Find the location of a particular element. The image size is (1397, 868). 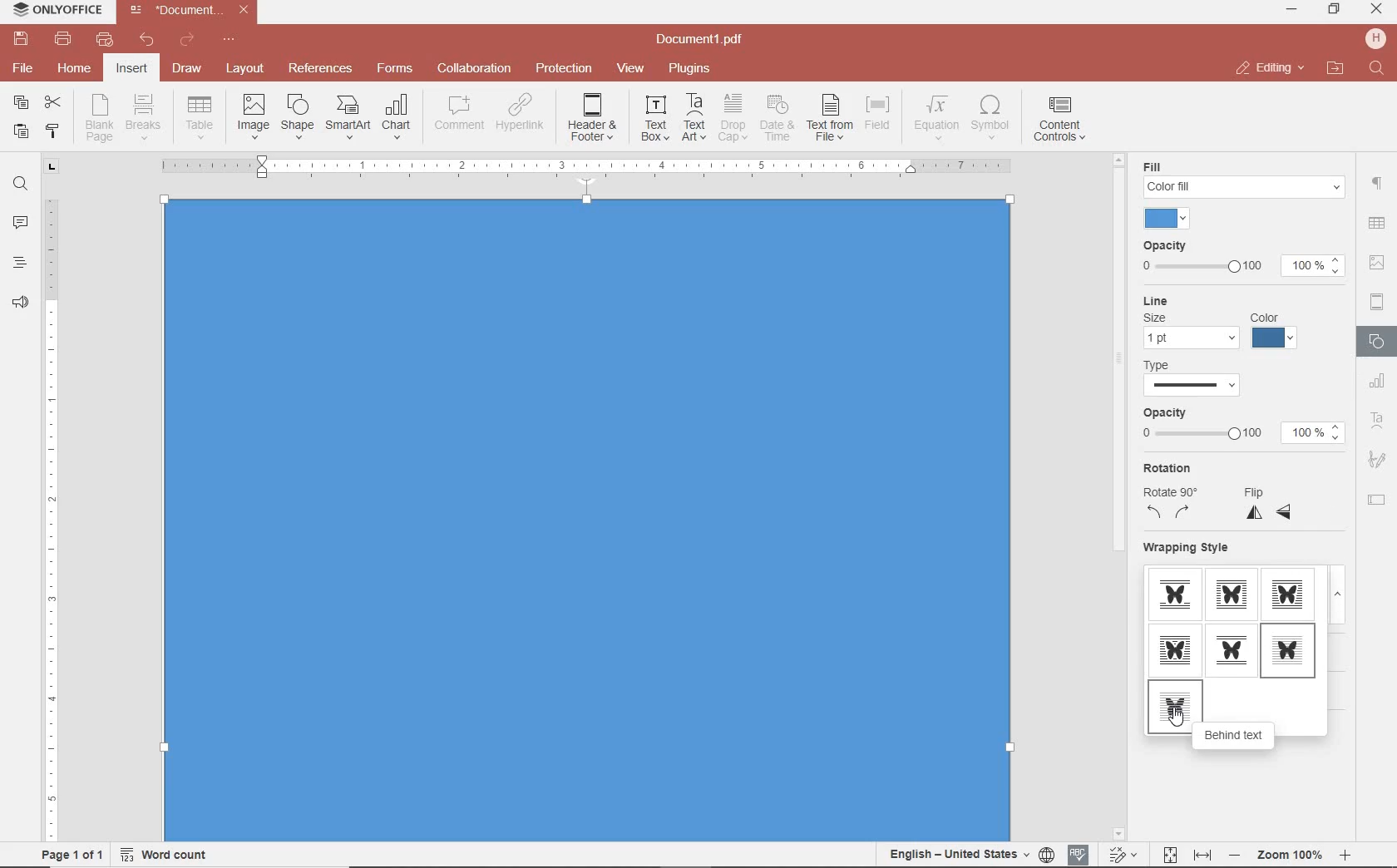

close is located at coordinates (1269, 68).